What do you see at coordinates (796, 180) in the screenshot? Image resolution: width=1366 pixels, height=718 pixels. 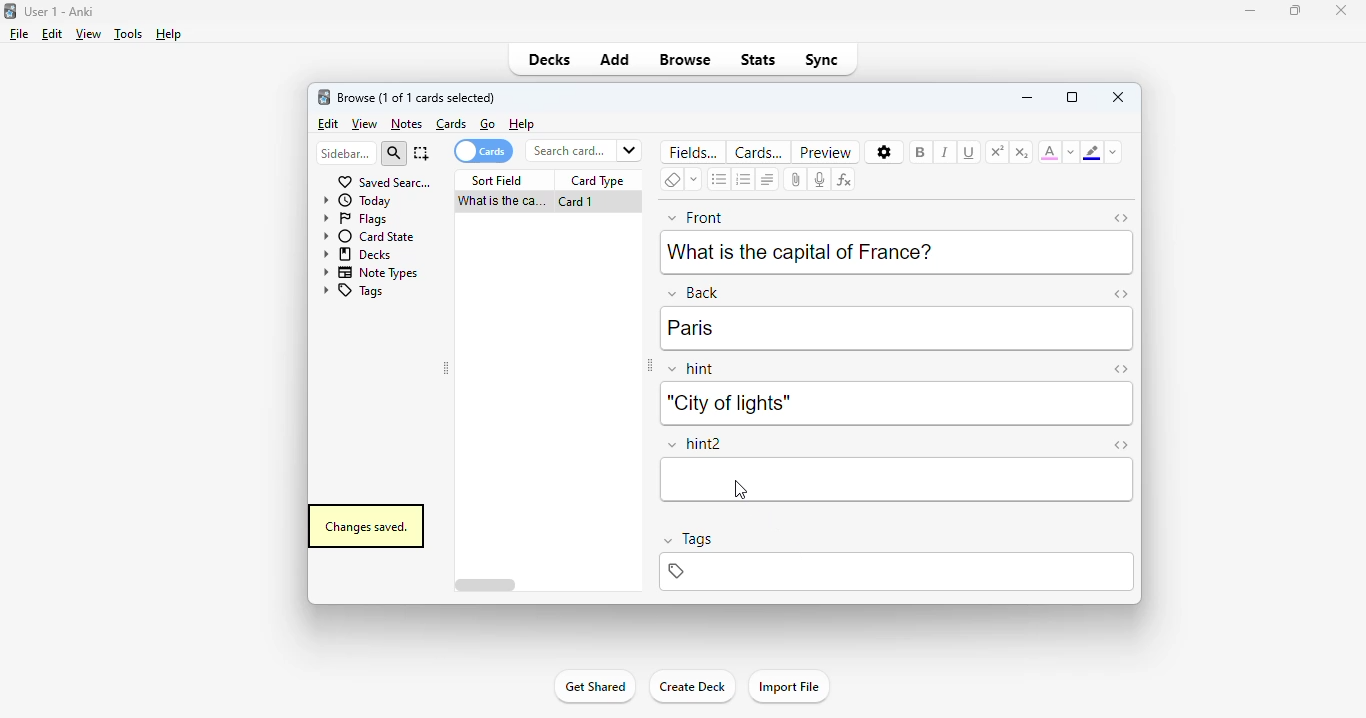 I see `attach pictures/audio/video` at bounding box center [796, 180].